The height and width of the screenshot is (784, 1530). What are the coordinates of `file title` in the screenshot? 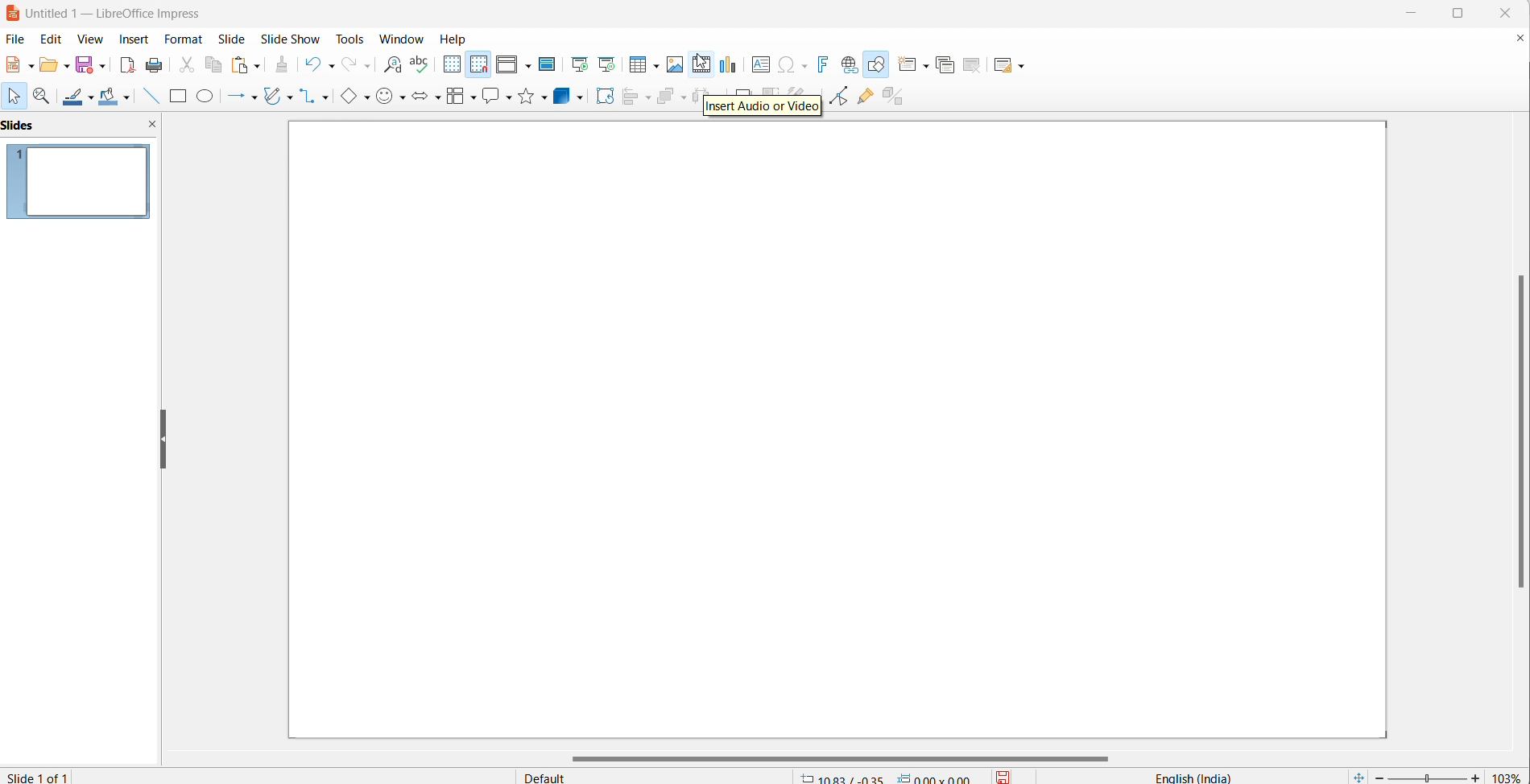 It's located at (118, 14).